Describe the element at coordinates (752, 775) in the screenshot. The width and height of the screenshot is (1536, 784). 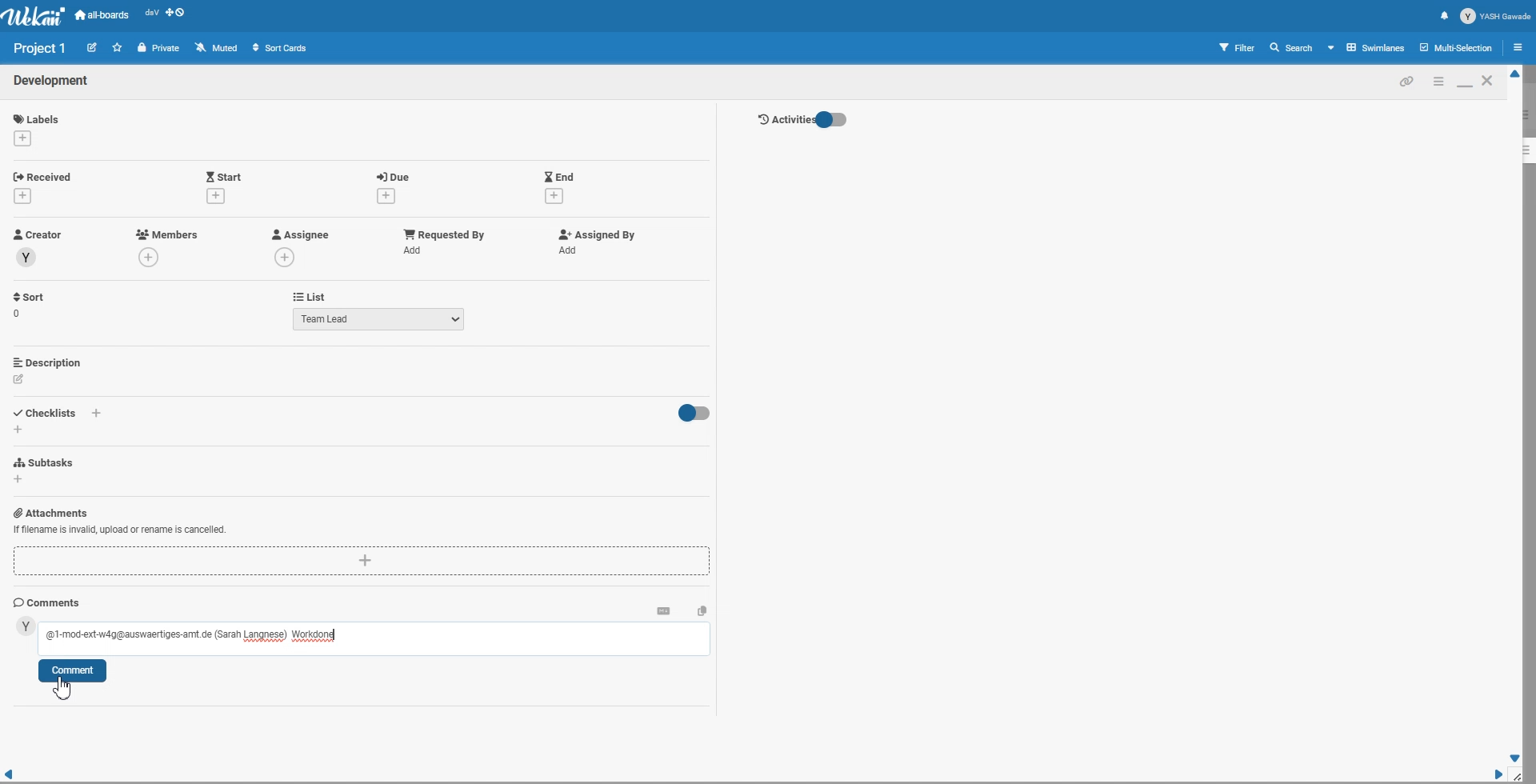
I see `Horizontal Scroll bar` at that location.